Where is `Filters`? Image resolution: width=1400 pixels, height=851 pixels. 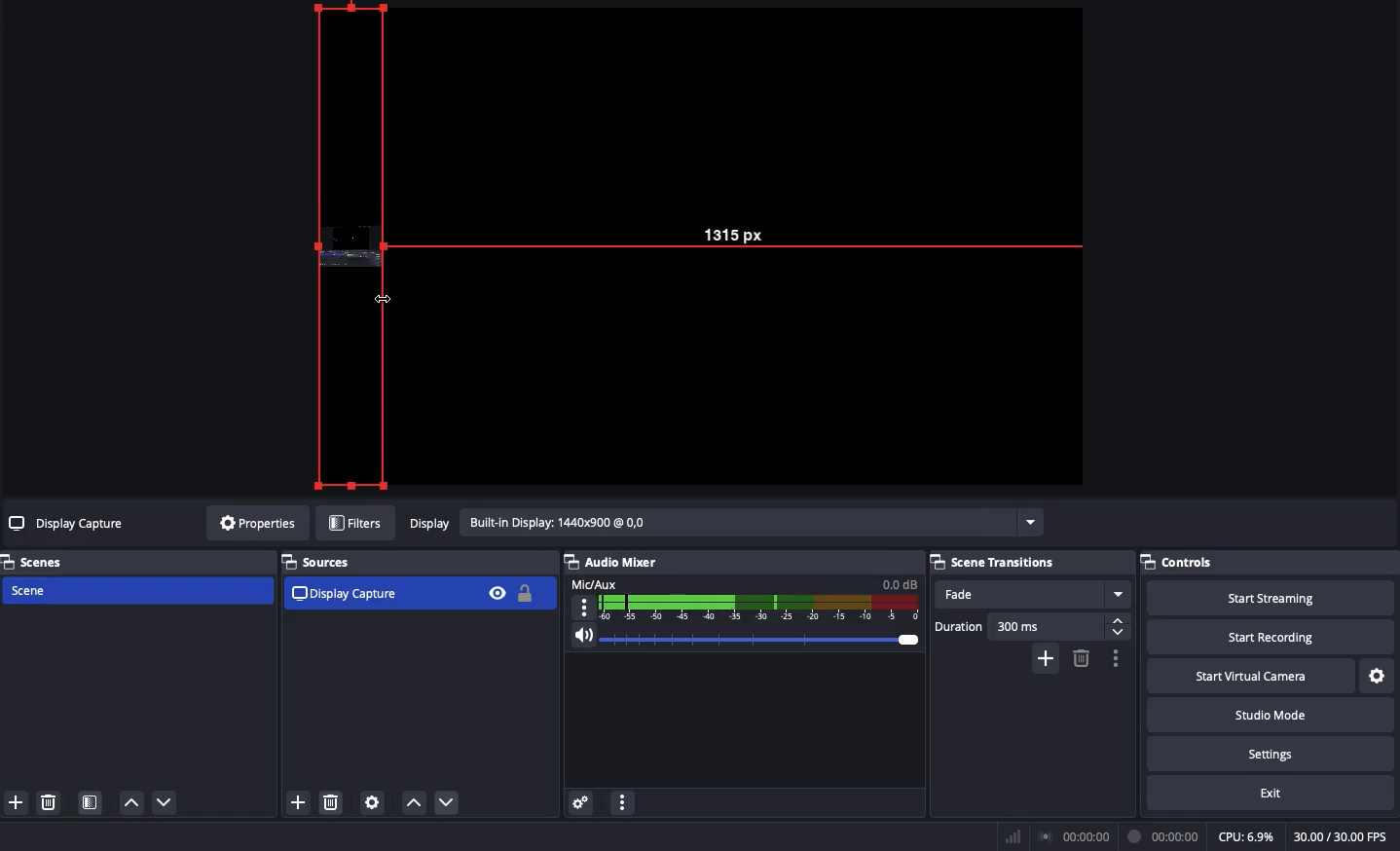 Filters is located at coordinates (356, 524).